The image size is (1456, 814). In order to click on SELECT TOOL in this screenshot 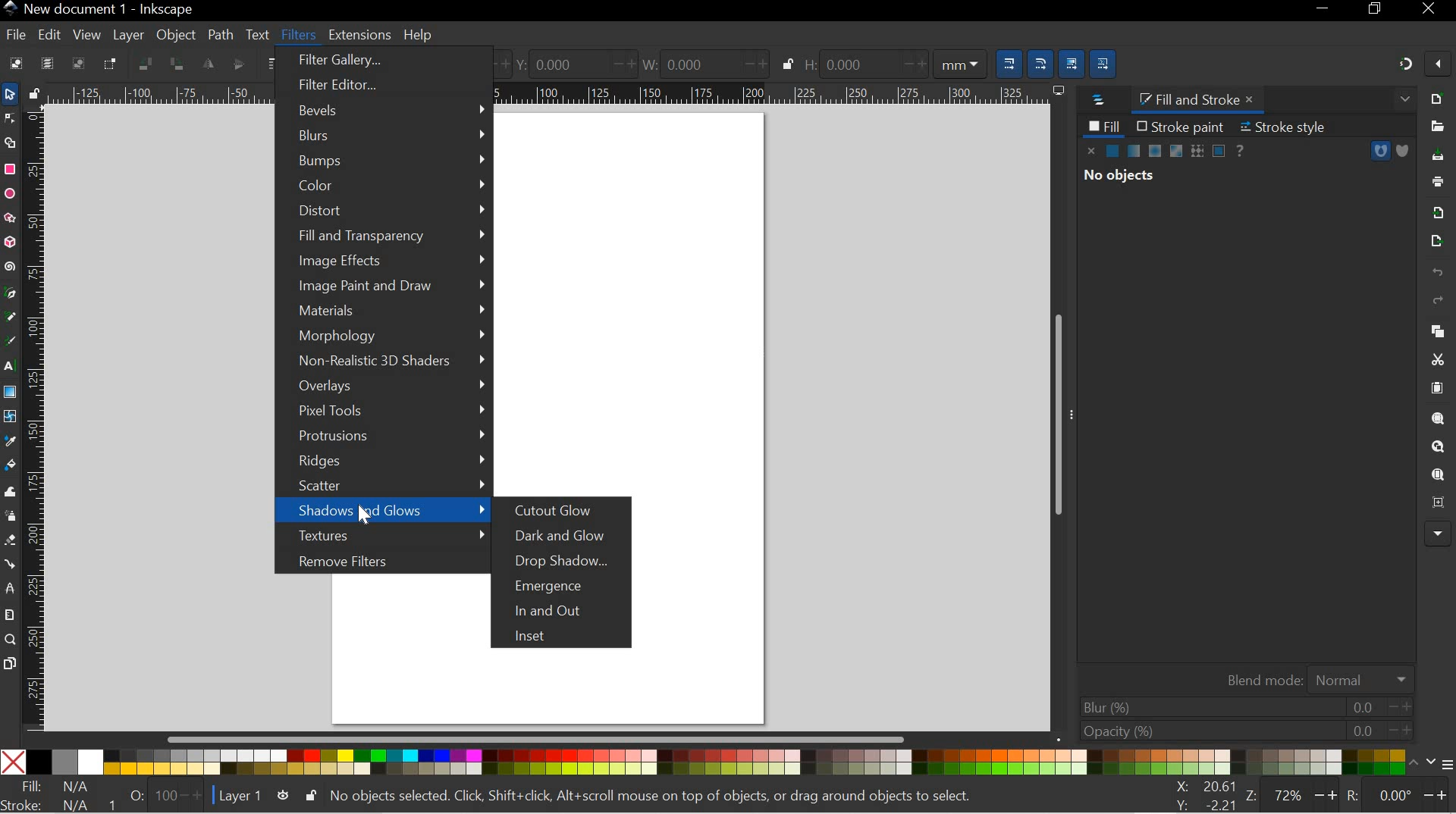, I will do `click(10, 94)`.